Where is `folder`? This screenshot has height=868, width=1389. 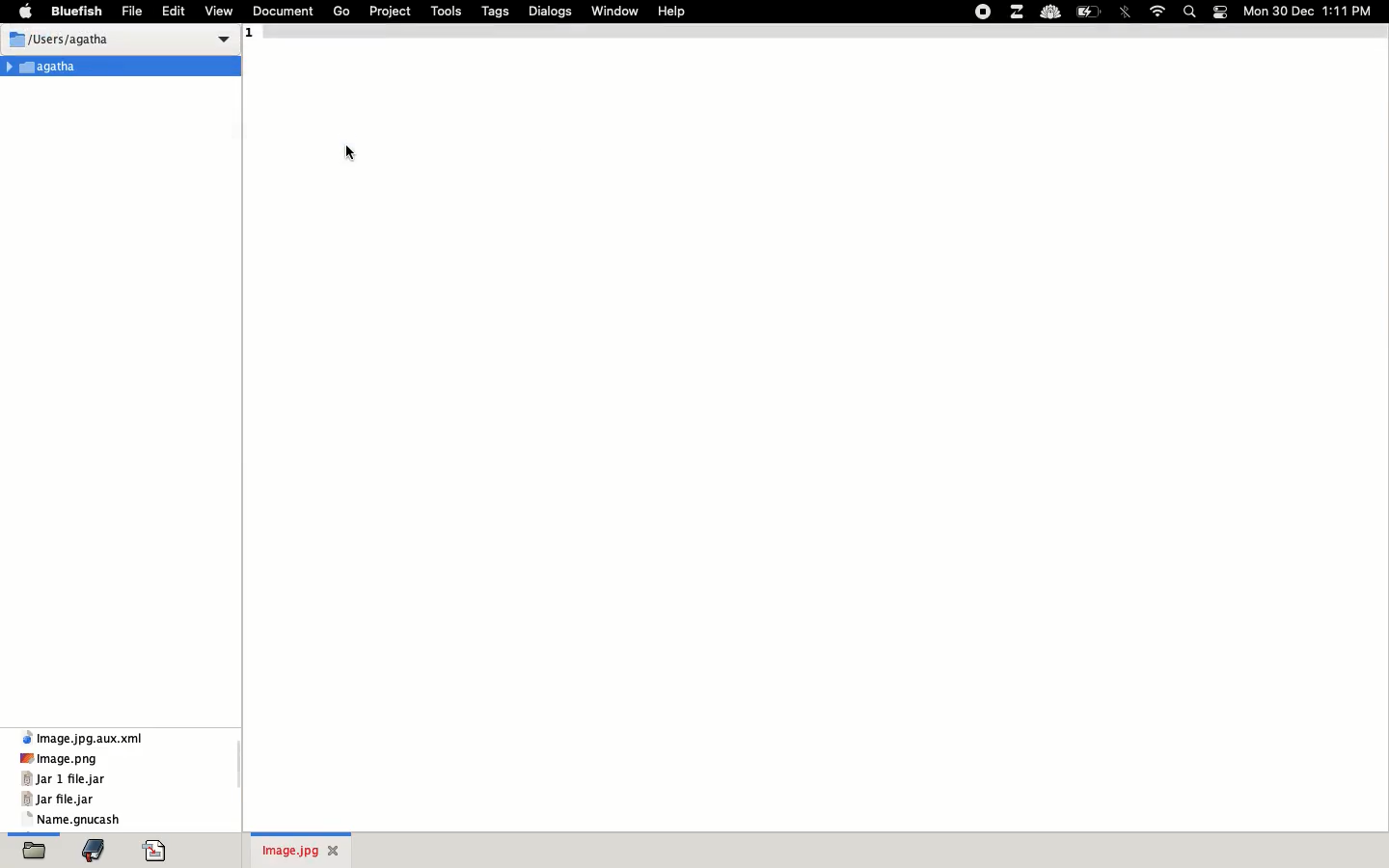
folder is located at coordinates (33, 853).